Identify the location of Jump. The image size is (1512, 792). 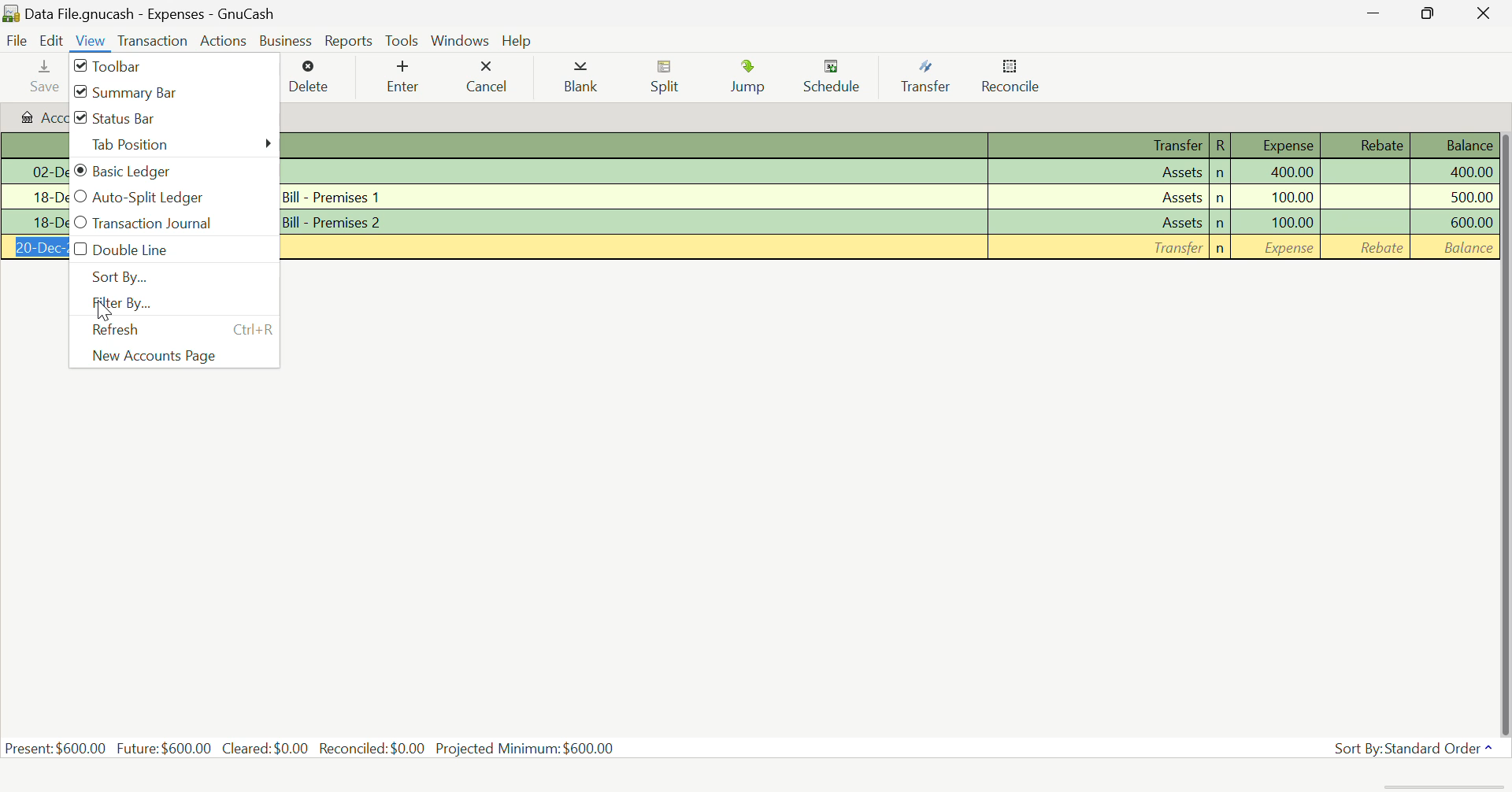
(747, 79).